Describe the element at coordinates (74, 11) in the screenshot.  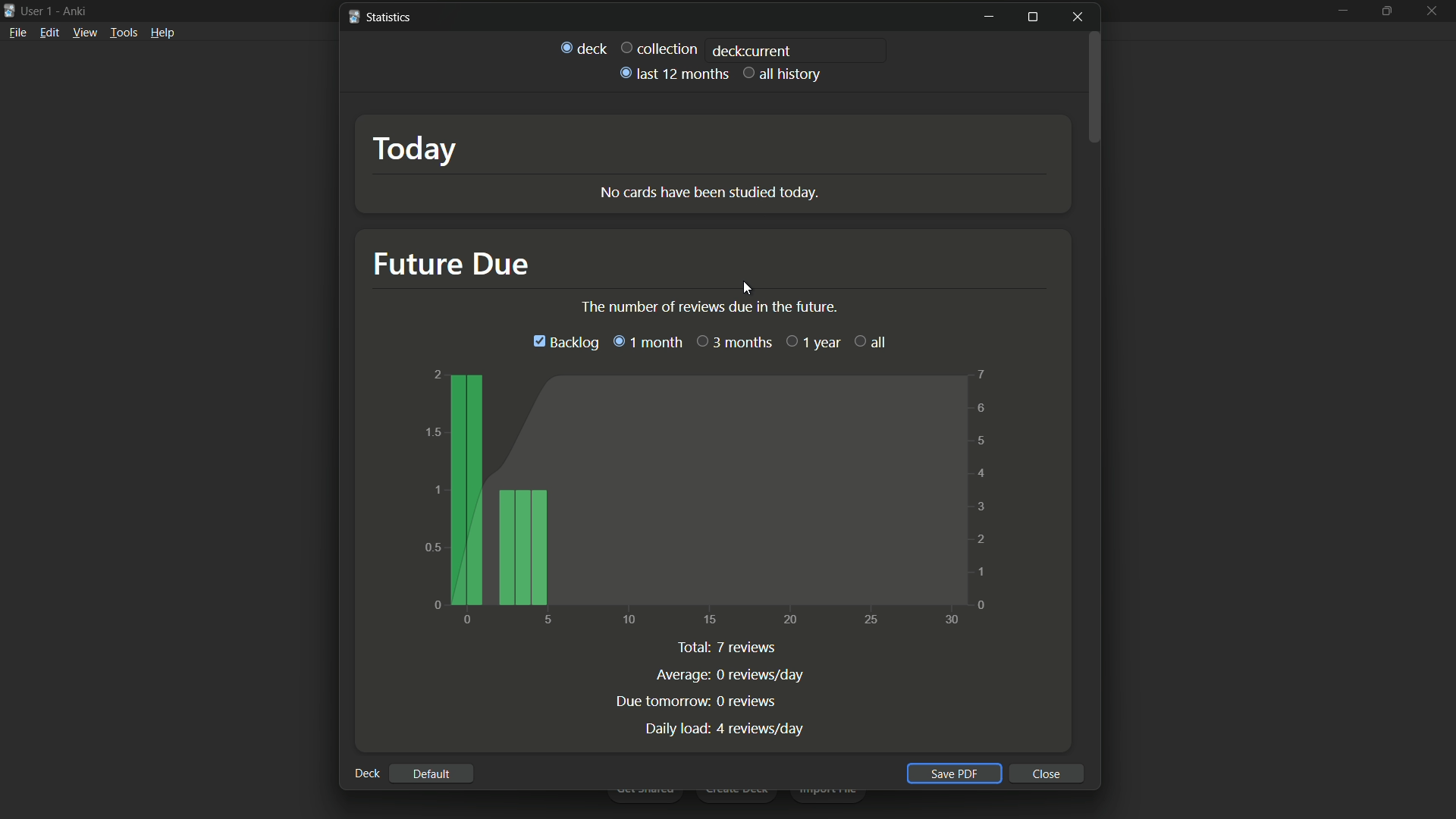
I see `app name` at that location.